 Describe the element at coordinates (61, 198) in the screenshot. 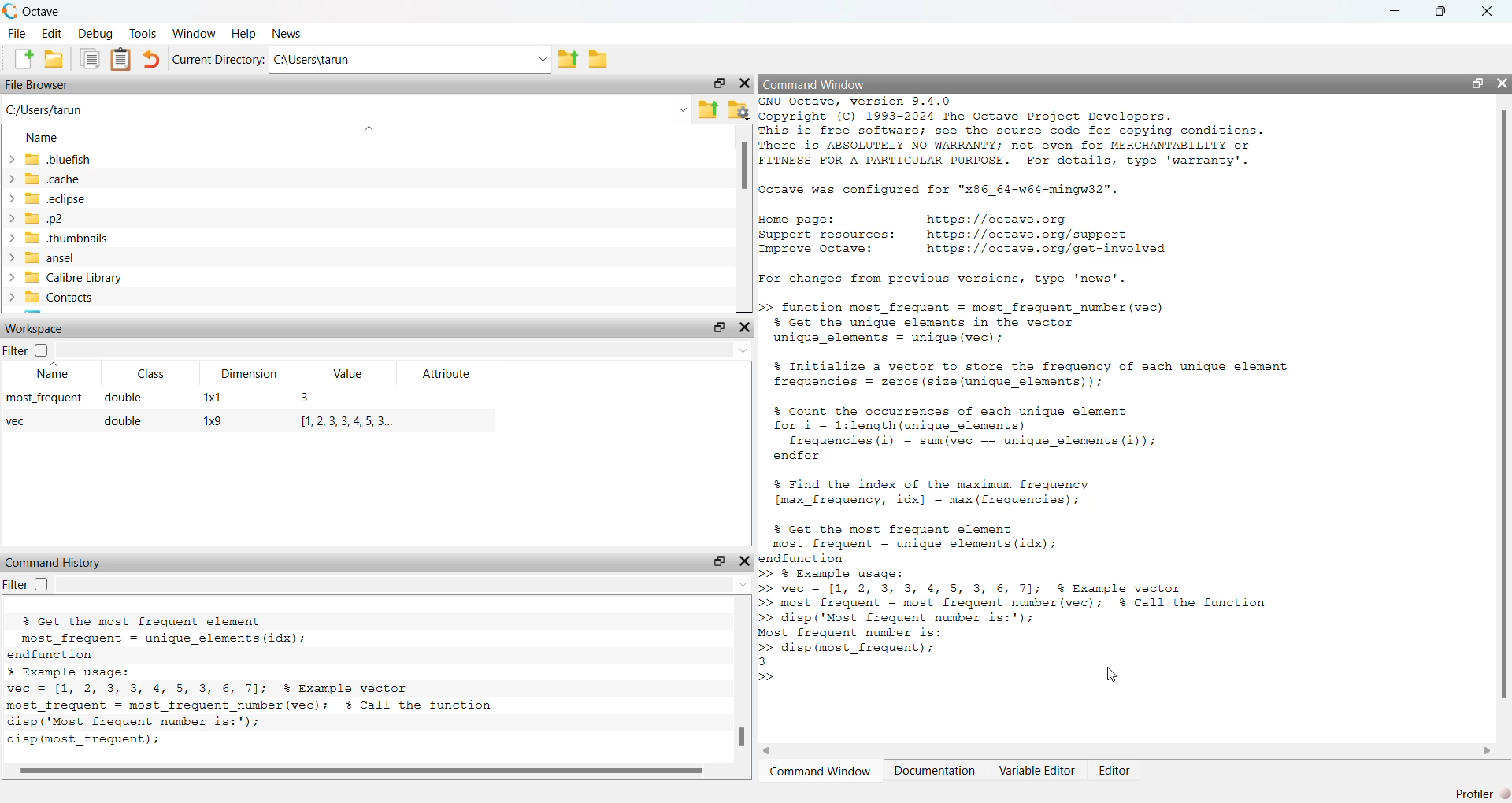

I see `.eclipse` at that location.